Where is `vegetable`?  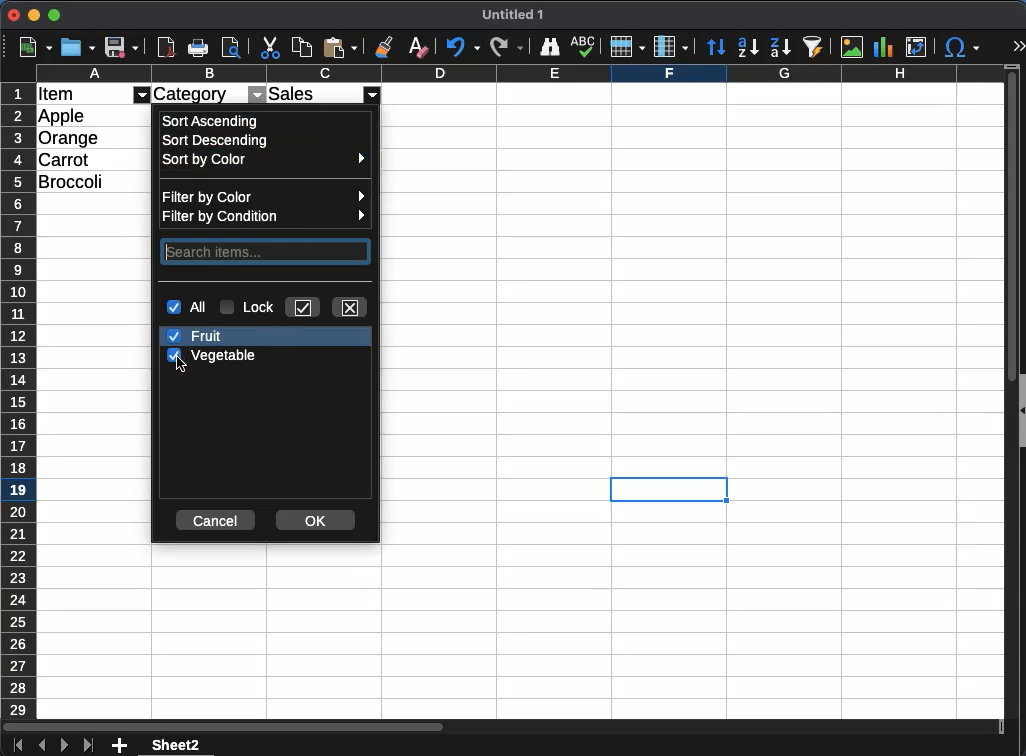 vegetable is located at coordinates (212, 355).